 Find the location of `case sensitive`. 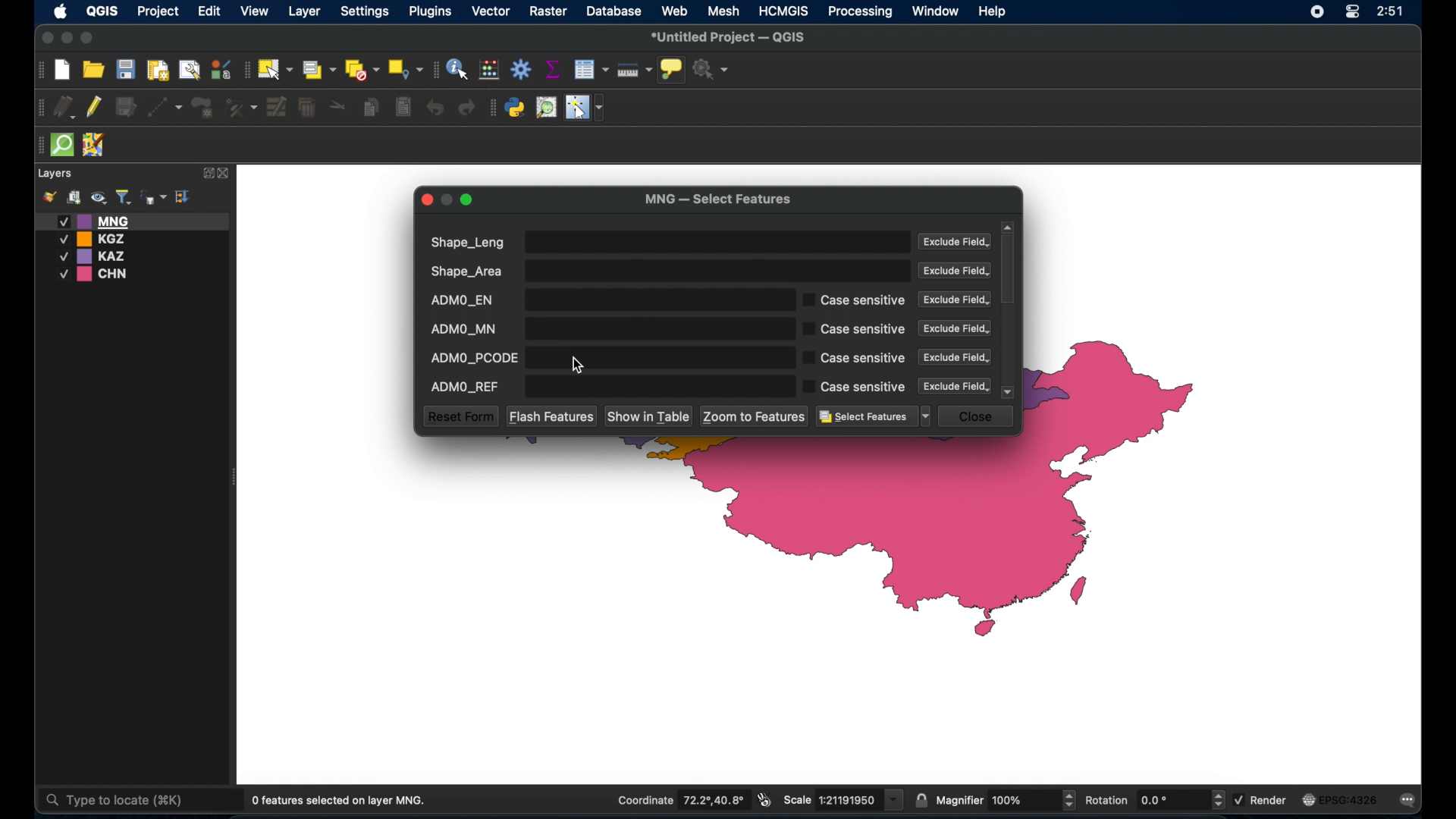

case sensitive is located at coordinates (855, 300).